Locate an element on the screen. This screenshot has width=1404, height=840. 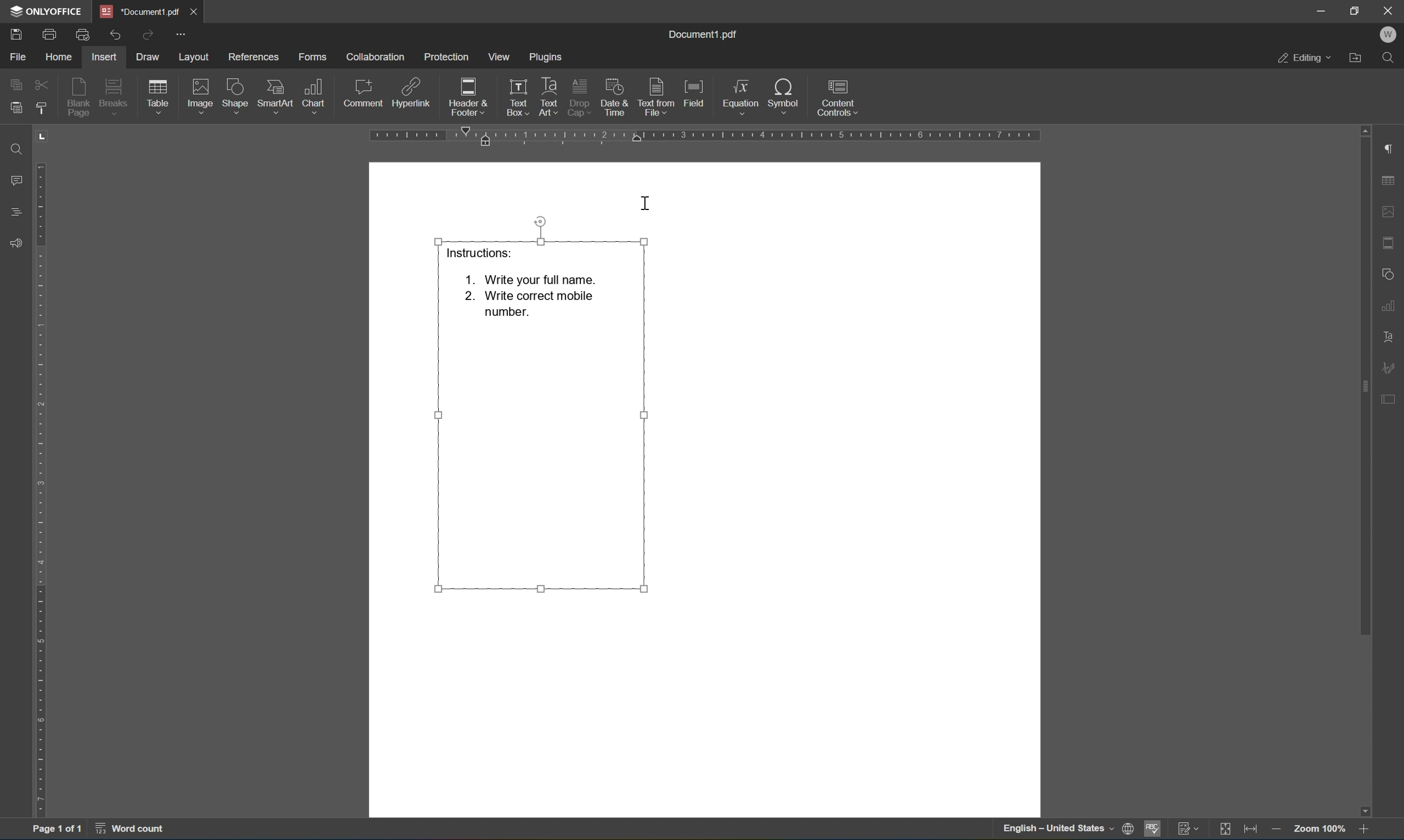
Page 1 of 1 is located at coordinates (57, 830).